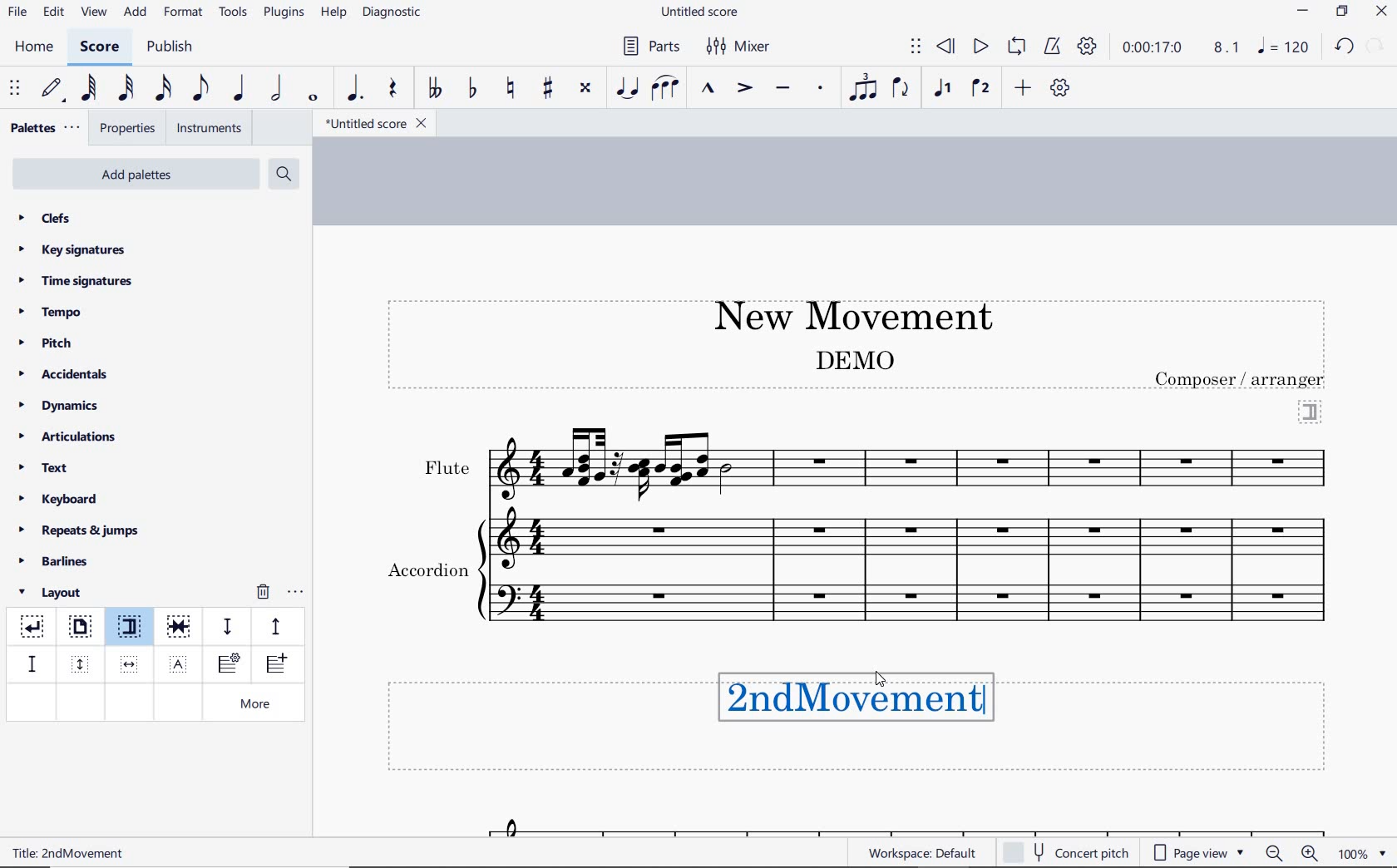 Image resolution: width=1397 pixels, height=868 pixels. What do you see at coordinates (66, 373) in the screenshot?
I see `accidentals` at bounding box center [66, 373].